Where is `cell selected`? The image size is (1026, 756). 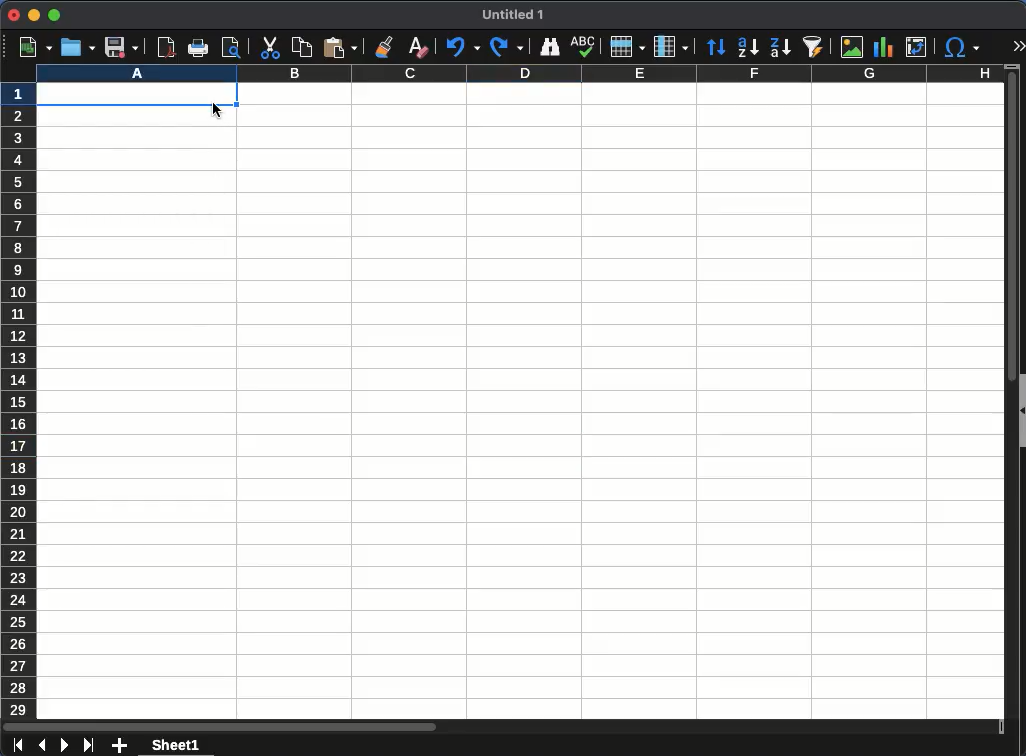 cell selected is located at coordinates (138, 97).